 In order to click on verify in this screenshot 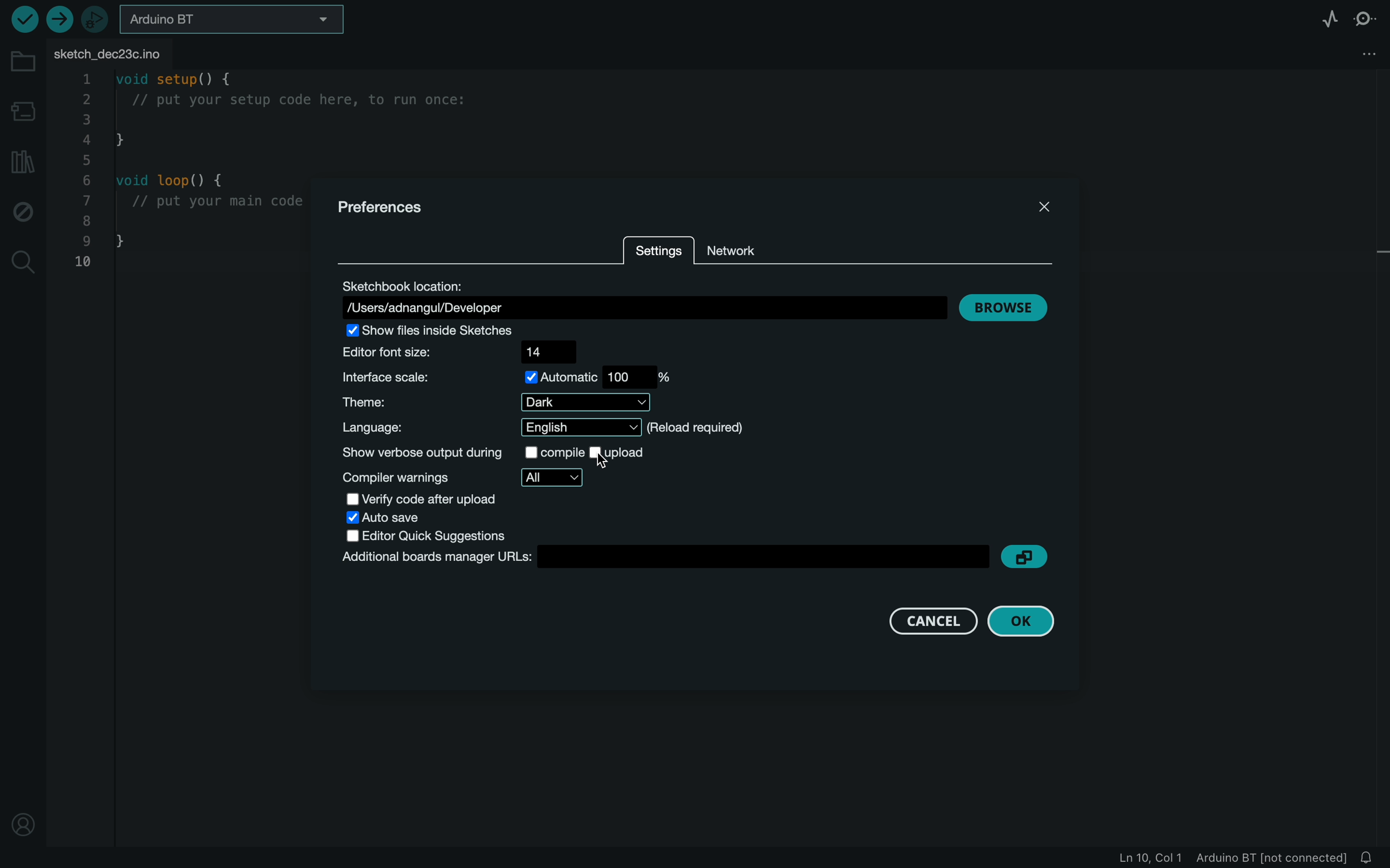, I will do `click(23, 21)`.